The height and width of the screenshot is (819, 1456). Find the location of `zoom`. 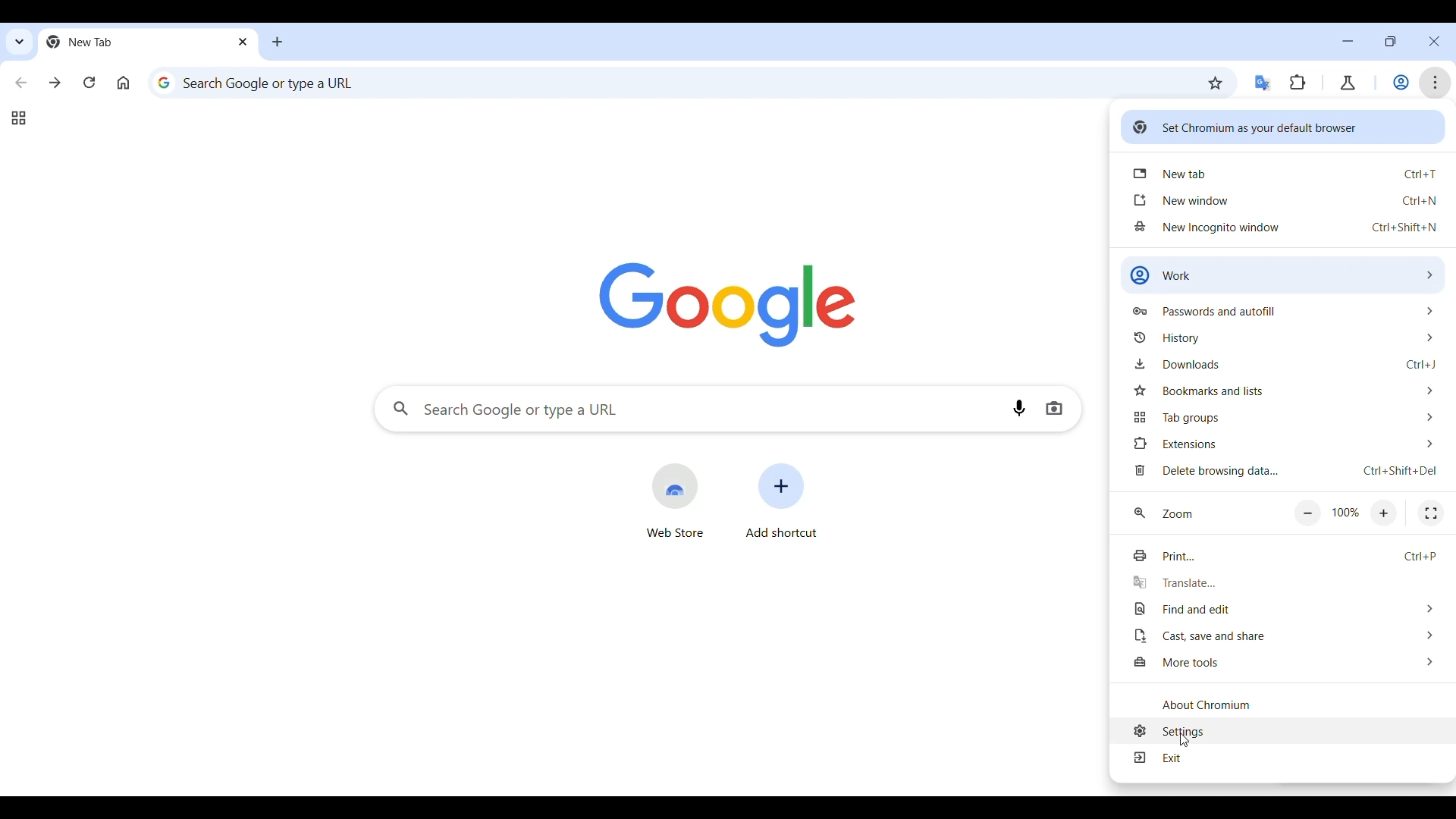

zoom is located at coordinates (1164, 514).